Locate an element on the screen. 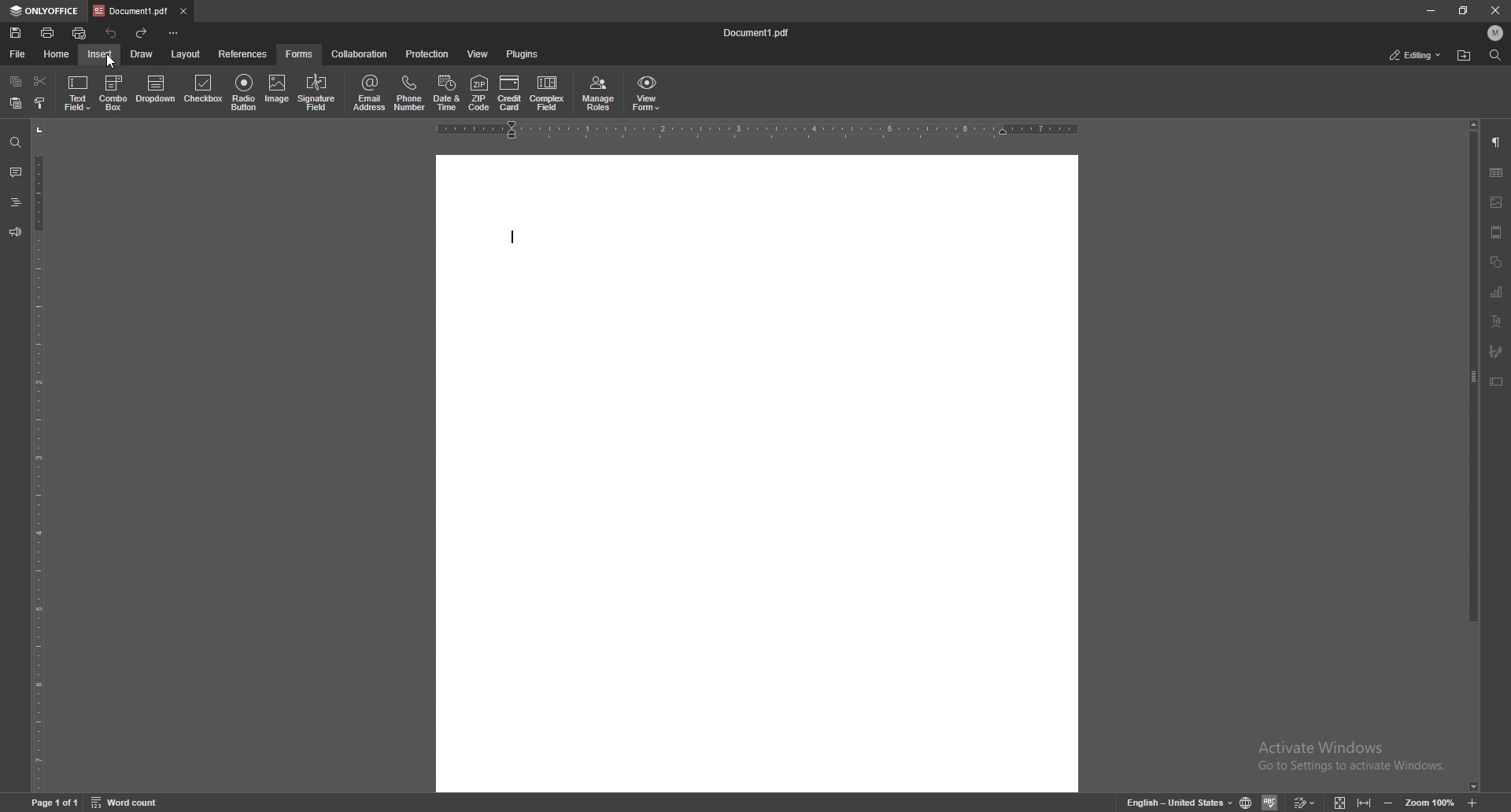 The height and width of the screenshot is (812, 1511). collaboration is located at coordinates (361, 54).